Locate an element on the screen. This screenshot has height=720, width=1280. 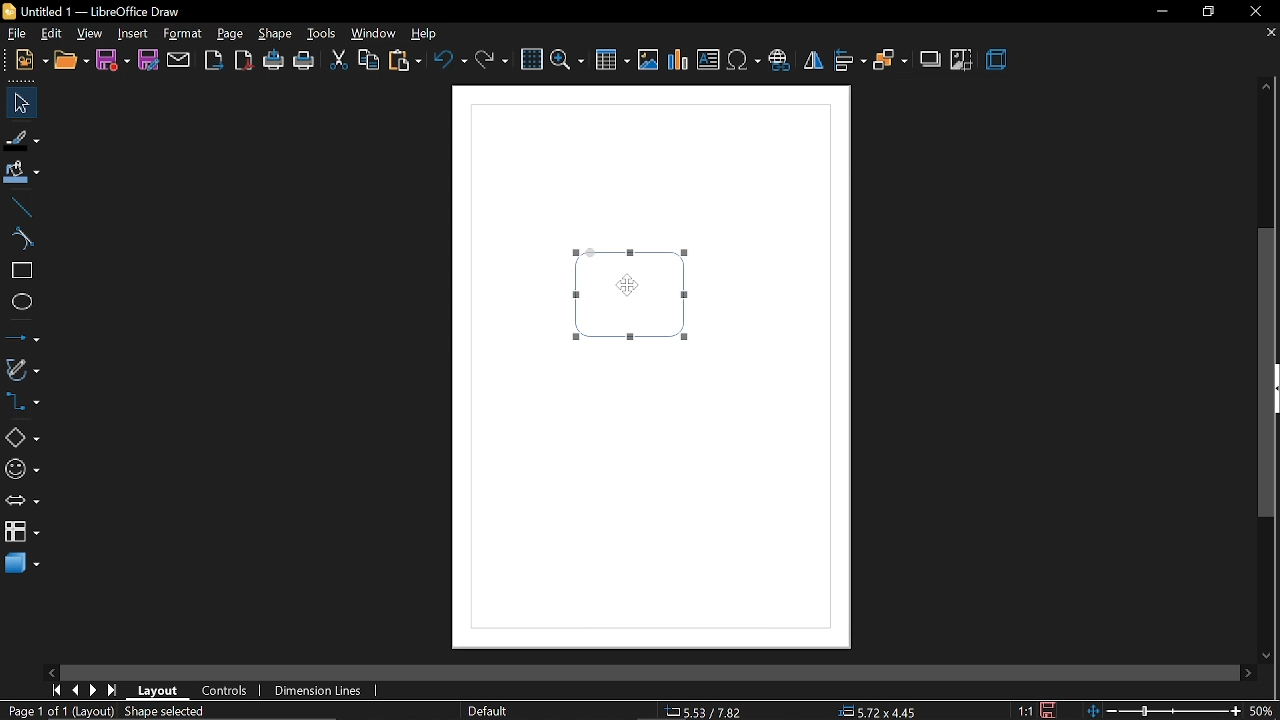
export is located at coordinates (214, 61).